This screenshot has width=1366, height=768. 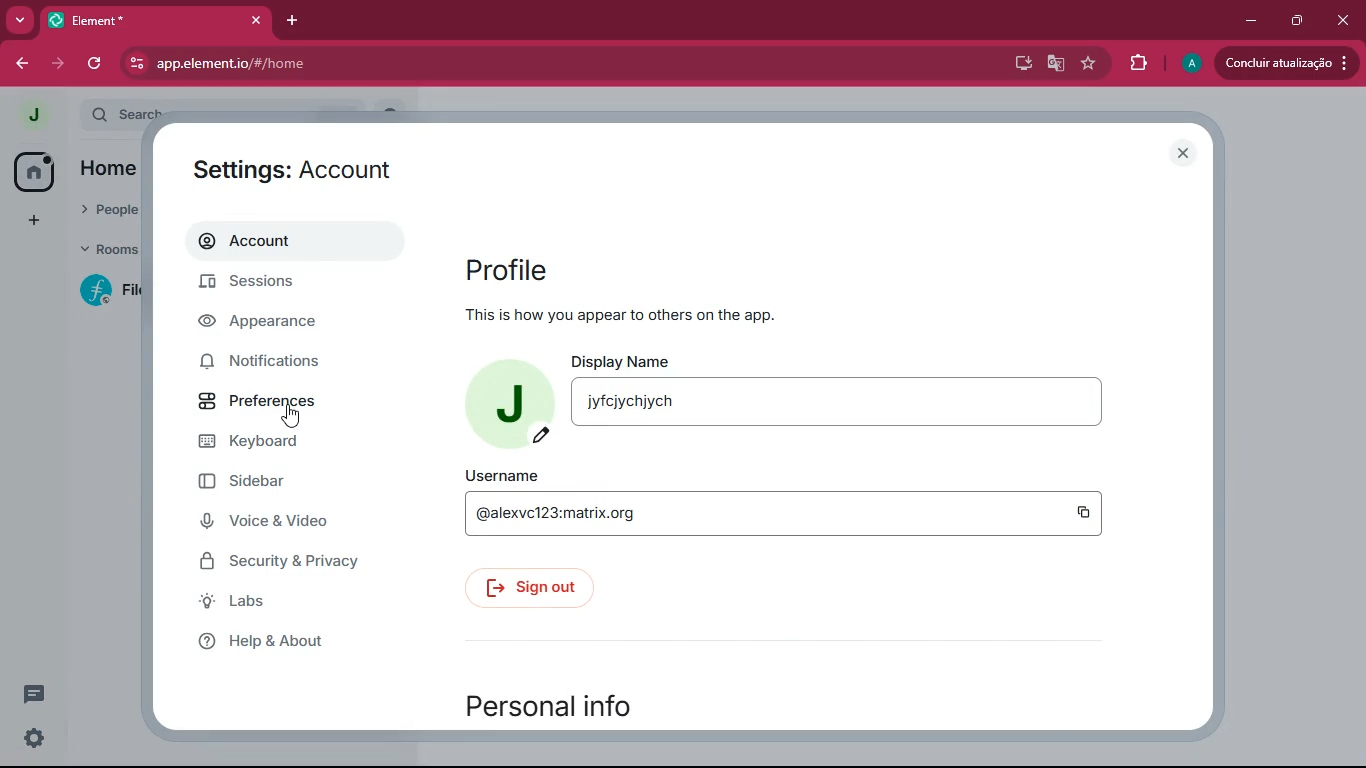 What do you see at coordinates (358, 65) in the screenshot?
I see `app.element.io/#/home` at bounding box center [358, 65].